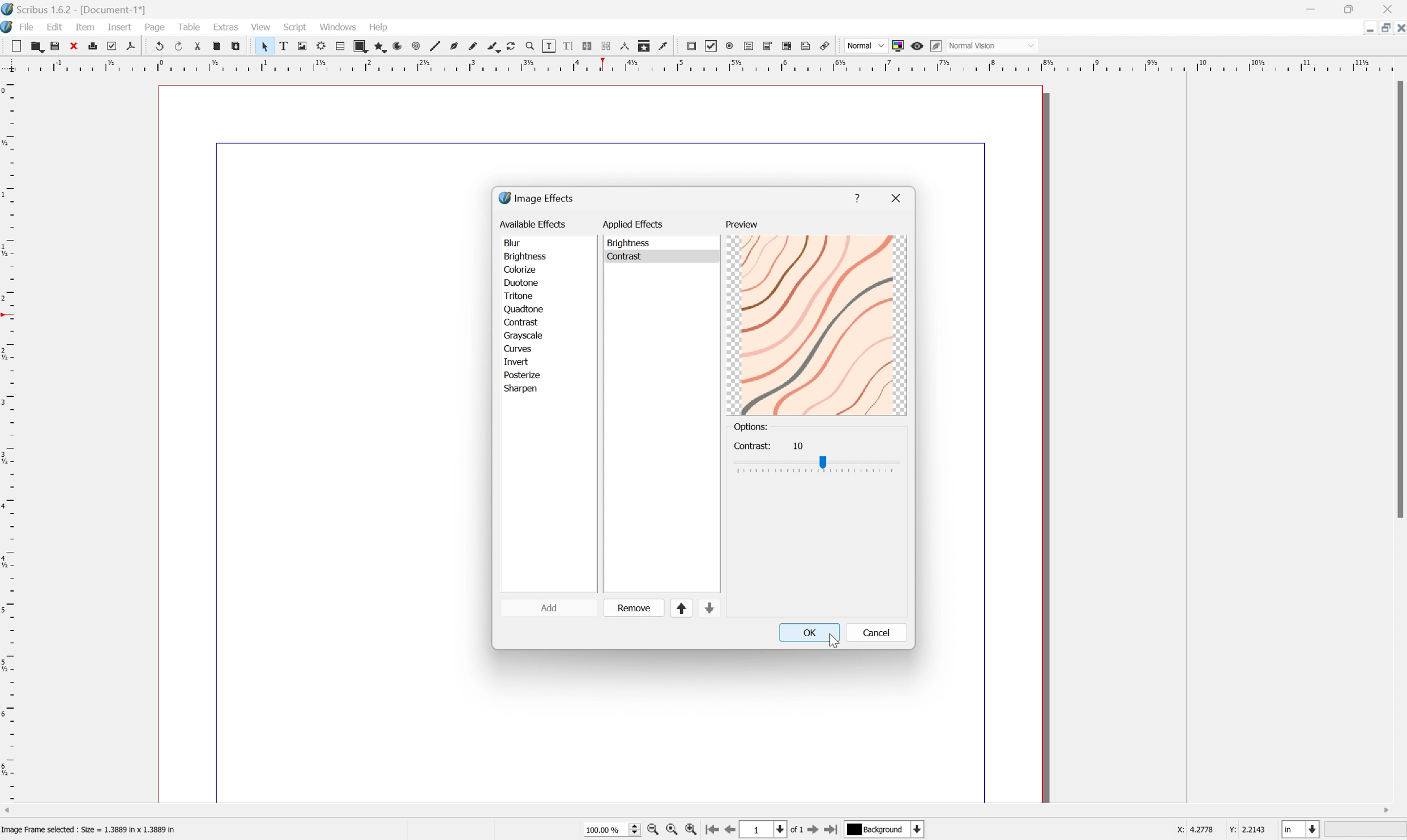 The image size is (1407, 840). Describe the element at coordinates (713, 829) in the screenshot. I see `First Page` at that location.